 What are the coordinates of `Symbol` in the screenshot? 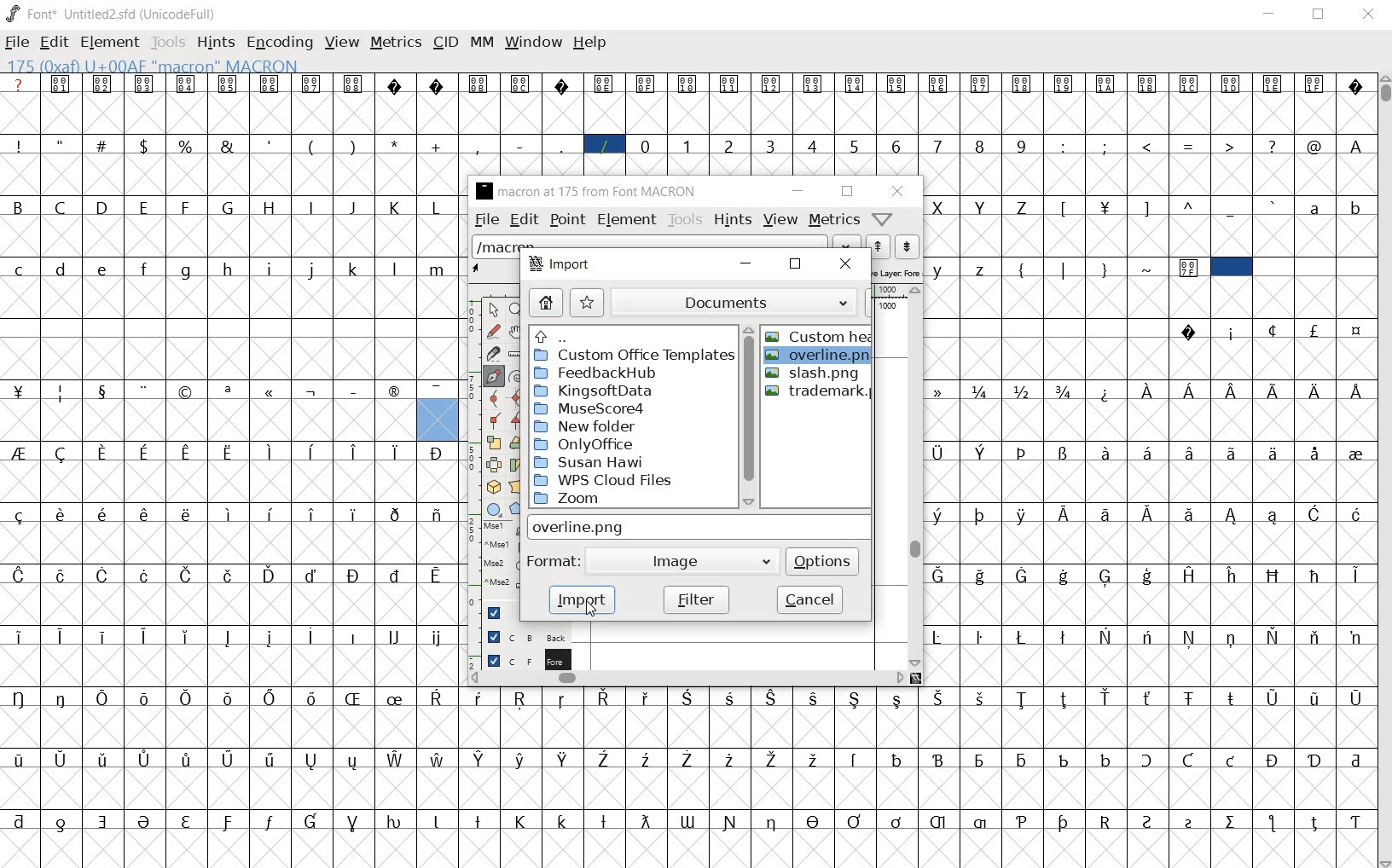 It's located at (229, 390).